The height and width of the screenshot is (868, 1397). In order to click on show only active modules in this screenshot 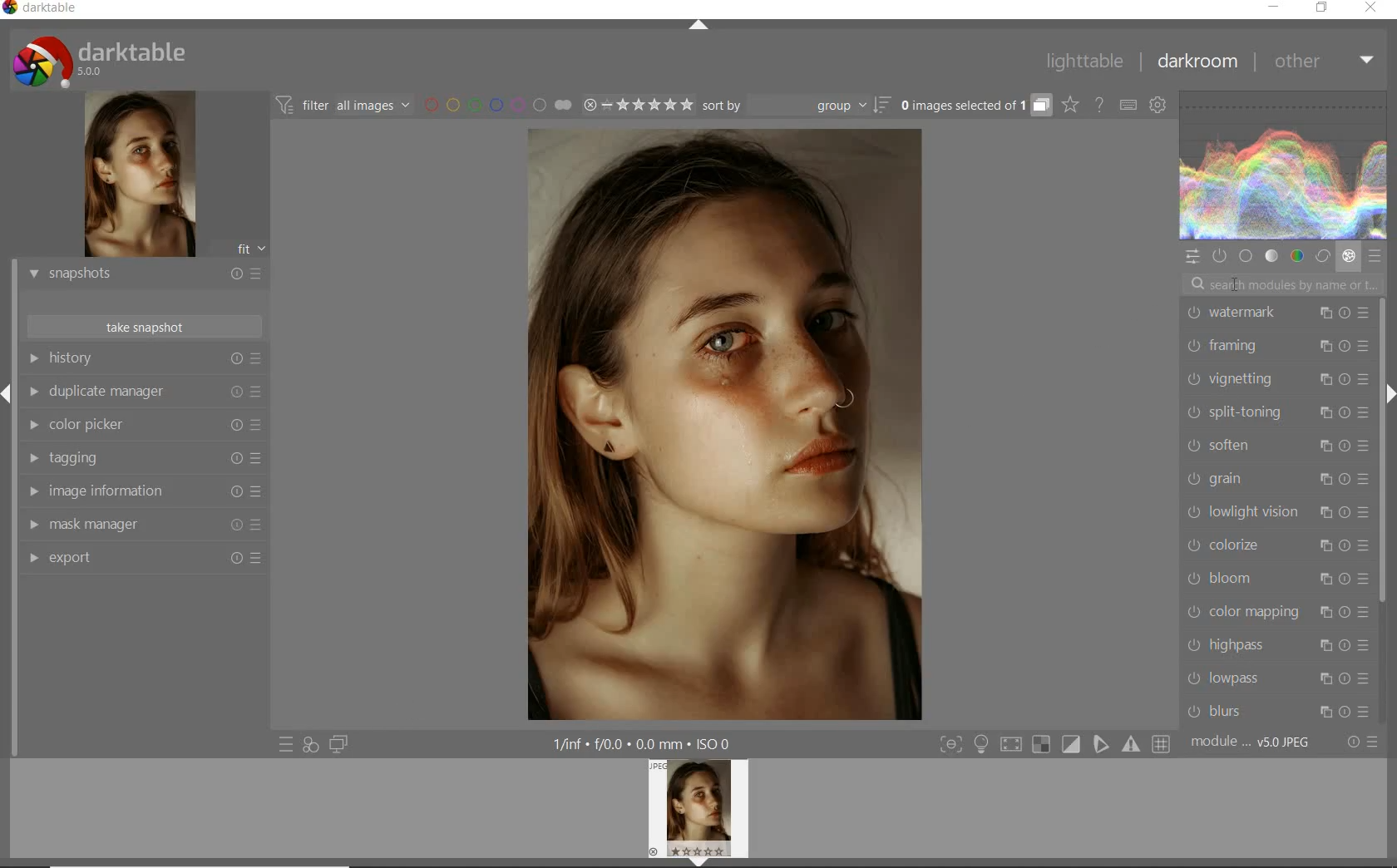, I will do `click(1222, 256)`.